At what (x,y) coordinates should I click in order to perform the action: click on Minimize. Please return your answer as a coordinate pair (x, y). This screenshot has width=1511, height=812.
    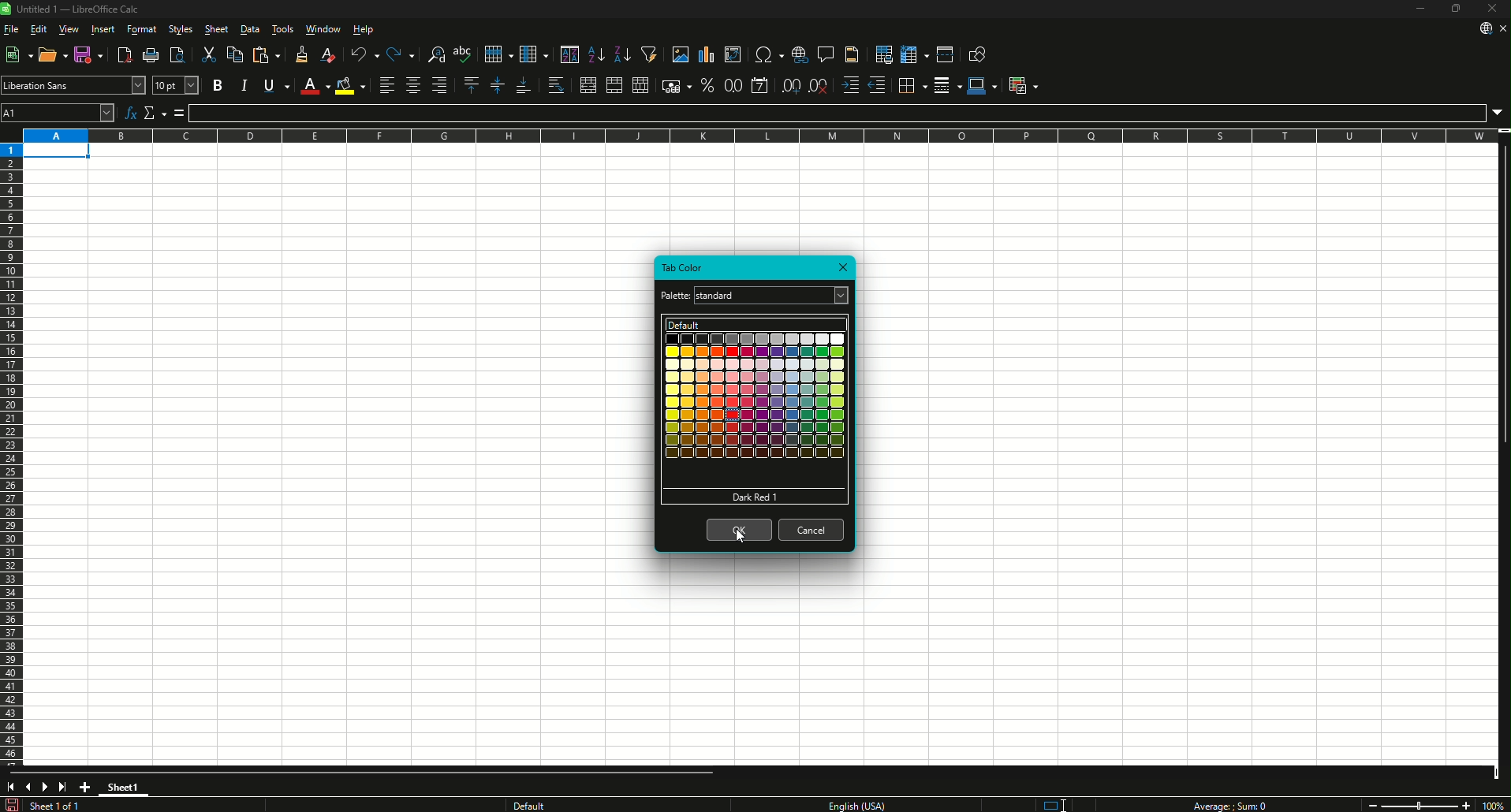
    Looking at the image, I should click on (1420, 8).